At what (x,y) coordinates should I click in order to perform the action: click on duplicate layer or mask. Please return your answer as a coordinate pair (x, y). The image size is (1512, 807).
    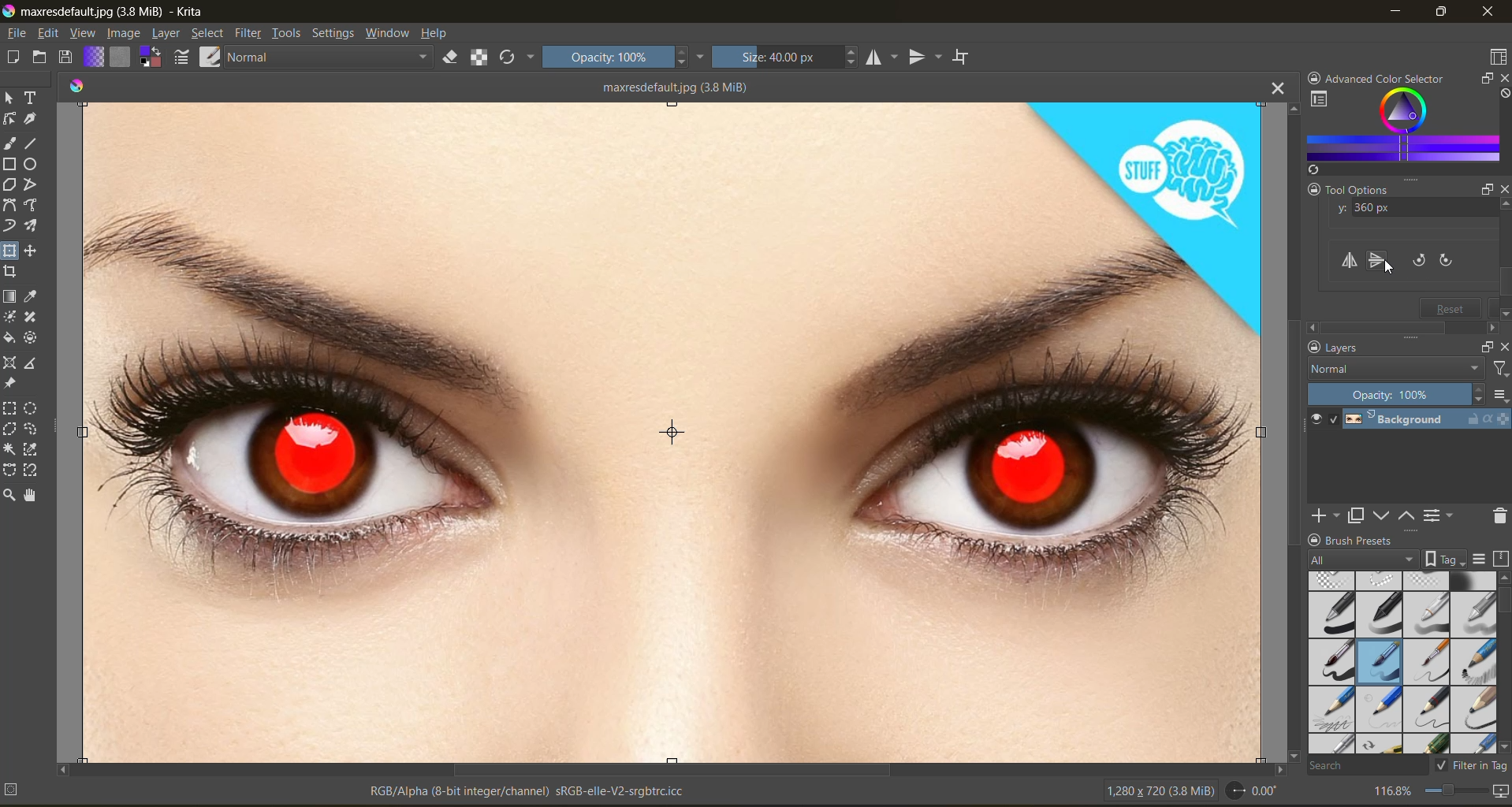
    Looking at the image, I should click on (1359, 515).